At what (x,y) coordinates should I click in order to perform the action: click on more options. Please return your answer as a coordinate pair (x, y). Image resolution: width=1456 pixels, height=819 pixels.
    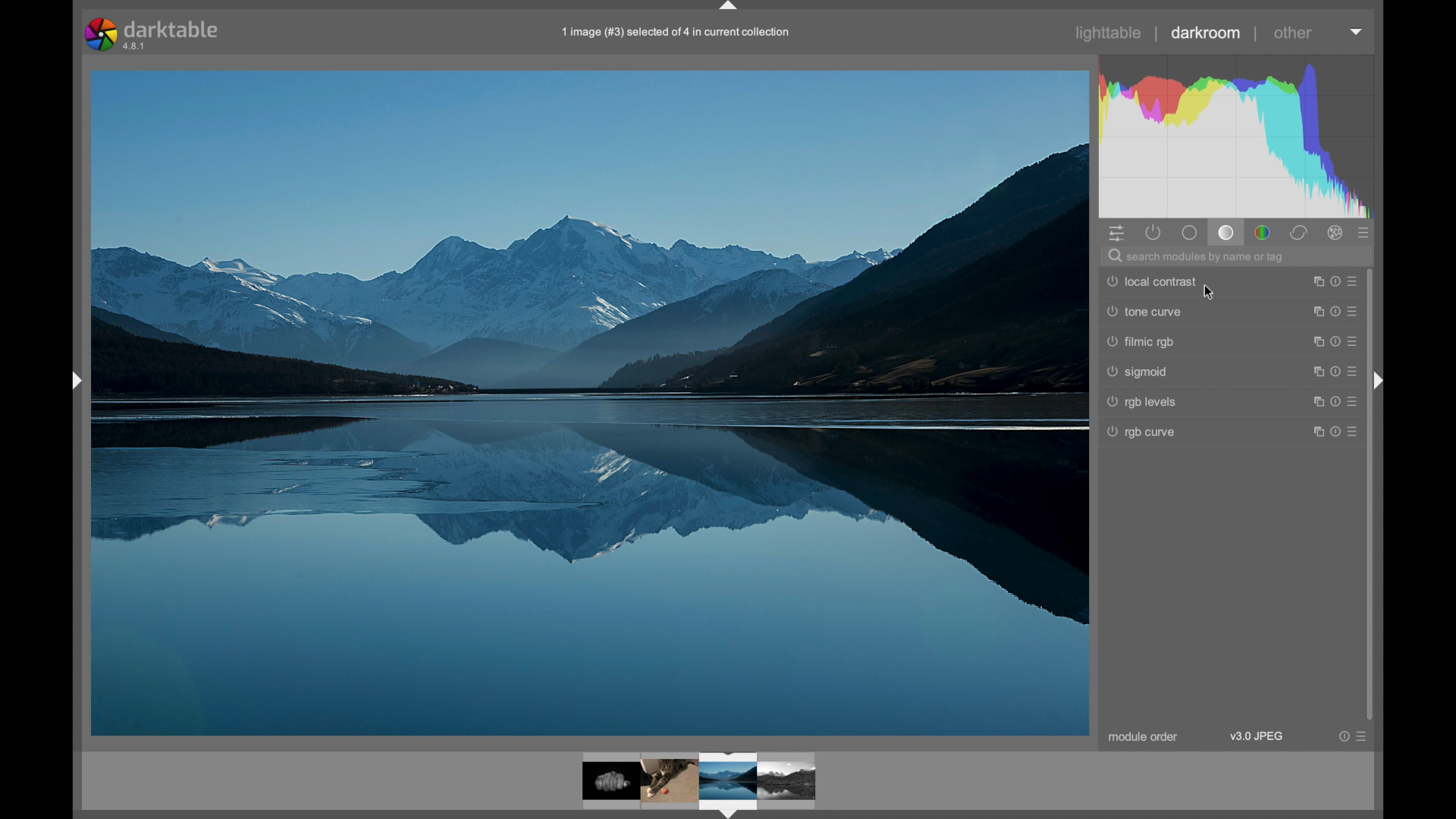
    Looking at the image, I should click on (1354, 736).